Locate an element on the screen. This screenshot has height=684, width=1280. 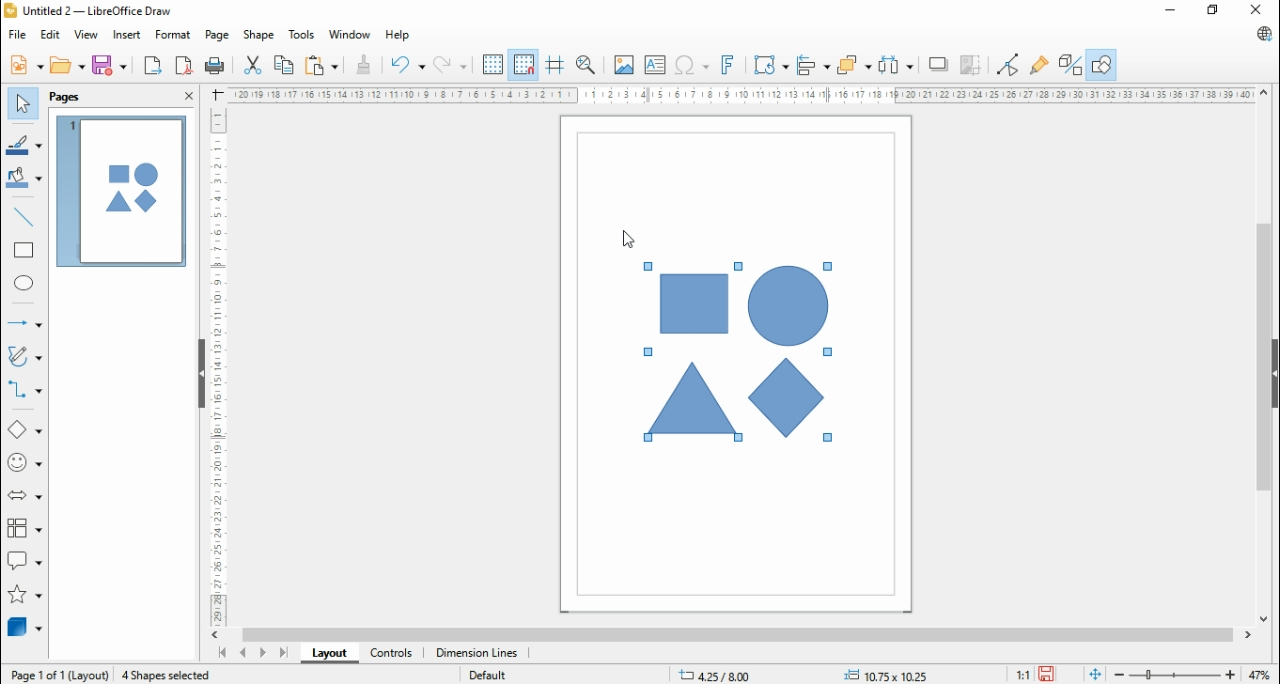
show draw functions is located at coordinates (1104, 62).